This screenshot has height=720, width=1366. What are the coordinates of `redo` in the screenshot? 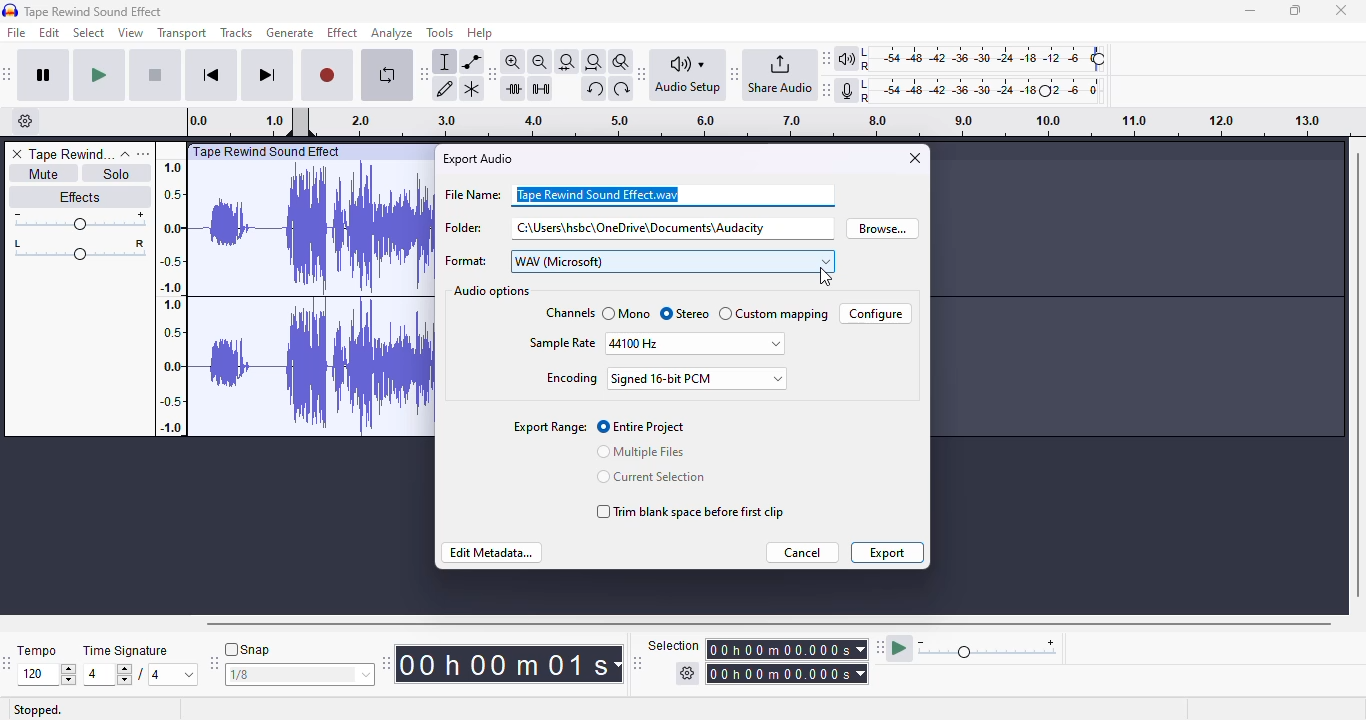 It's located at (622, 88).